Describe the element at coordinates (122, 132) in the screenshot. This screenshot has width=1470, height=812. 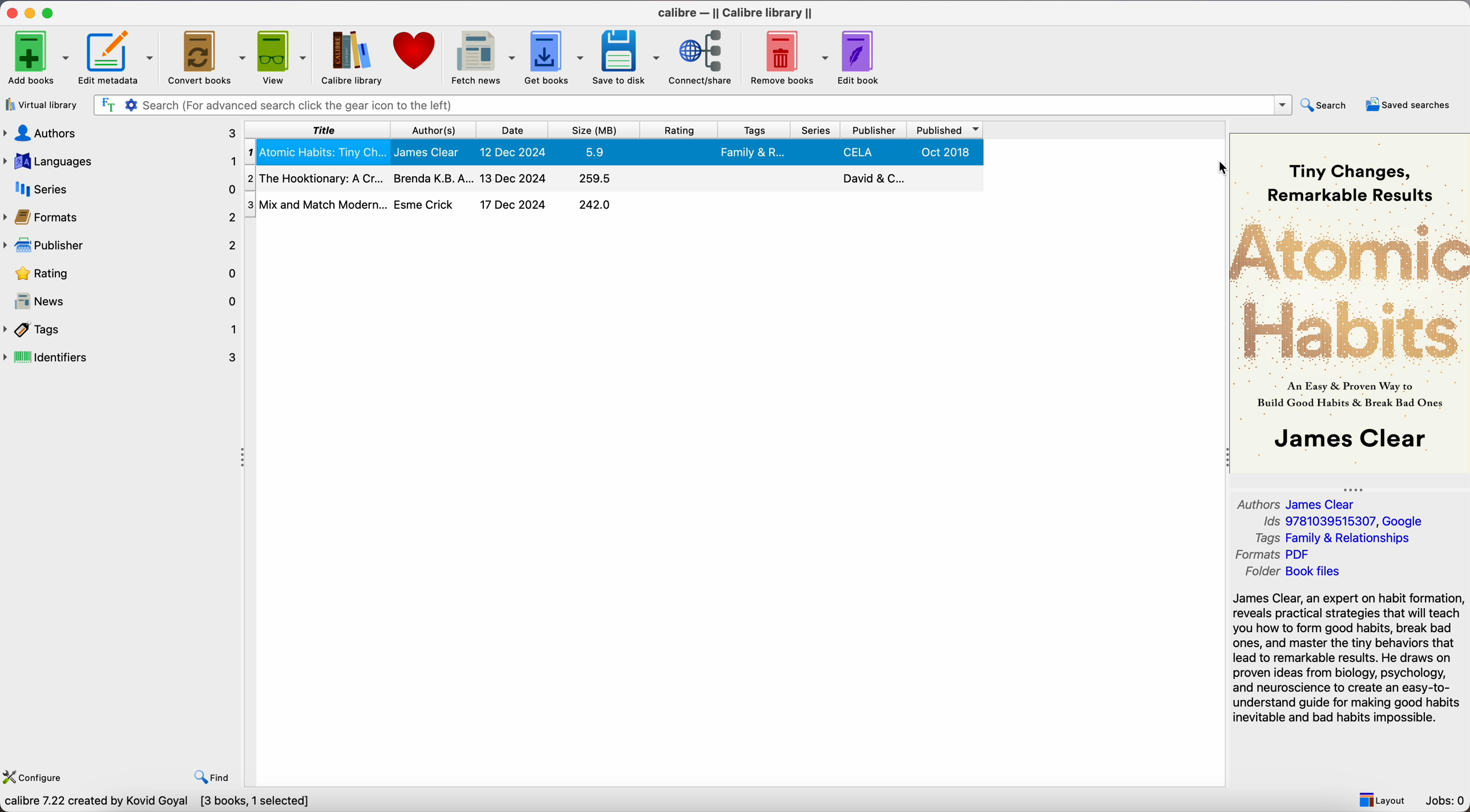
I see `authors` at that location.